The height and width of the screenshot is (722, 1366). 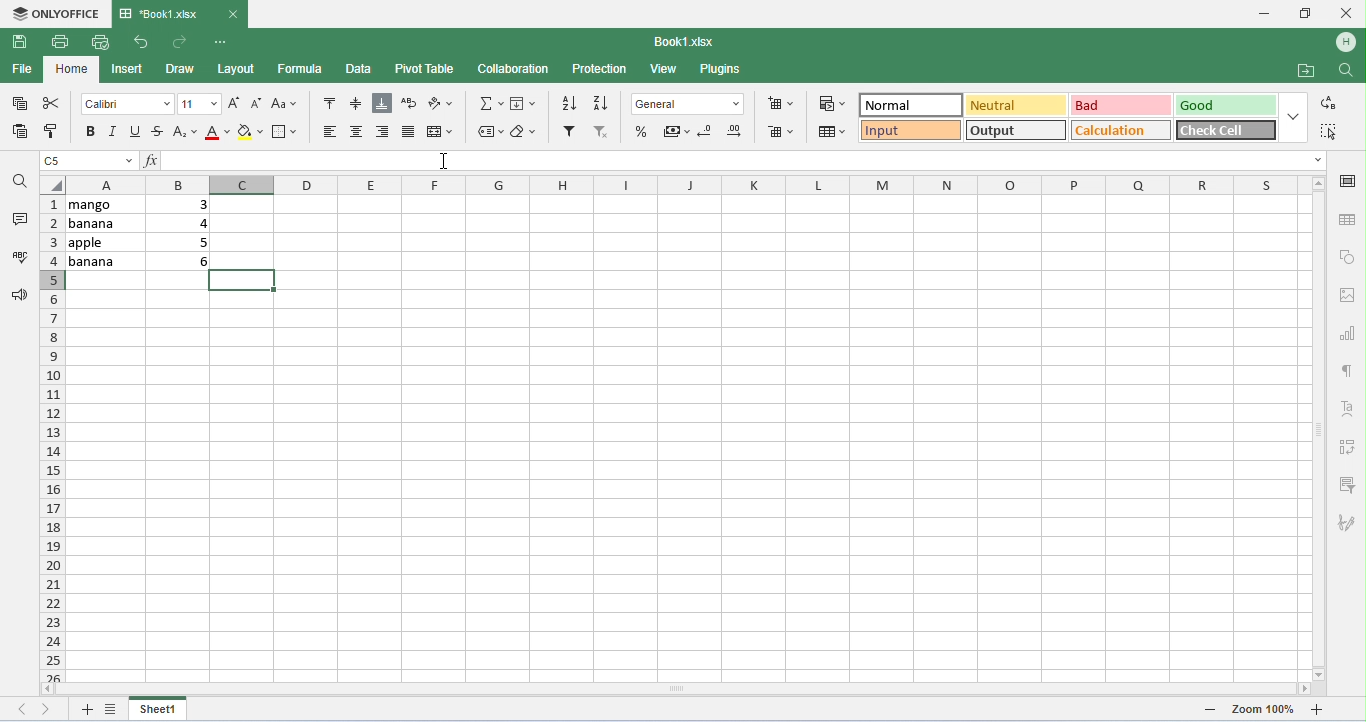 I want to click on increase decimal, so click(x=734, y=131).